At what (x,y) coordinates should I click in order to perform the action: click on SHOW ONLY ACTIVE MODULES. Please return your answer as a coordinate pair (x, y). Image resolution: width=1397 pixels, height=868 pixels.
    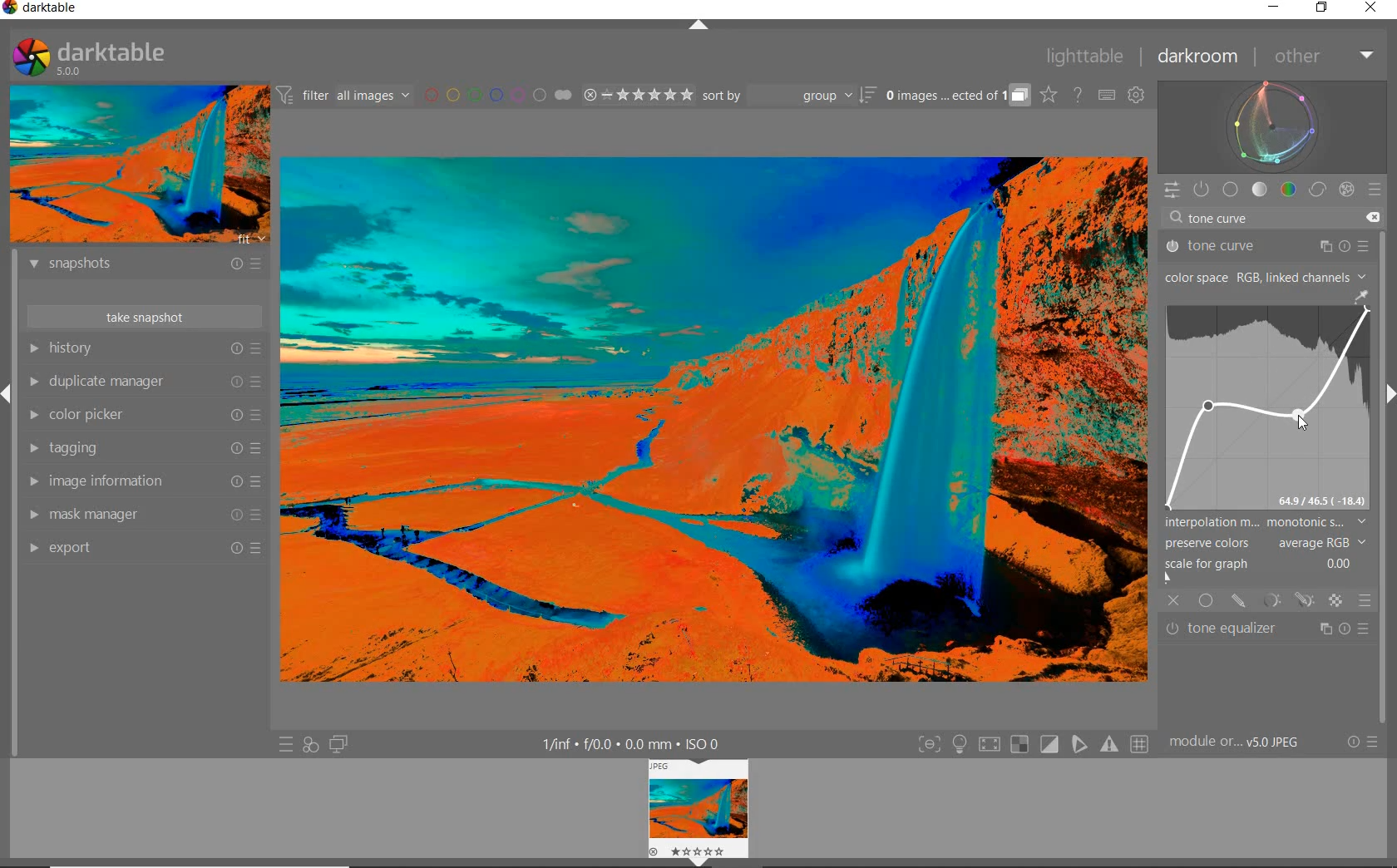
    Looking at the image, I should click on (1202, 190).